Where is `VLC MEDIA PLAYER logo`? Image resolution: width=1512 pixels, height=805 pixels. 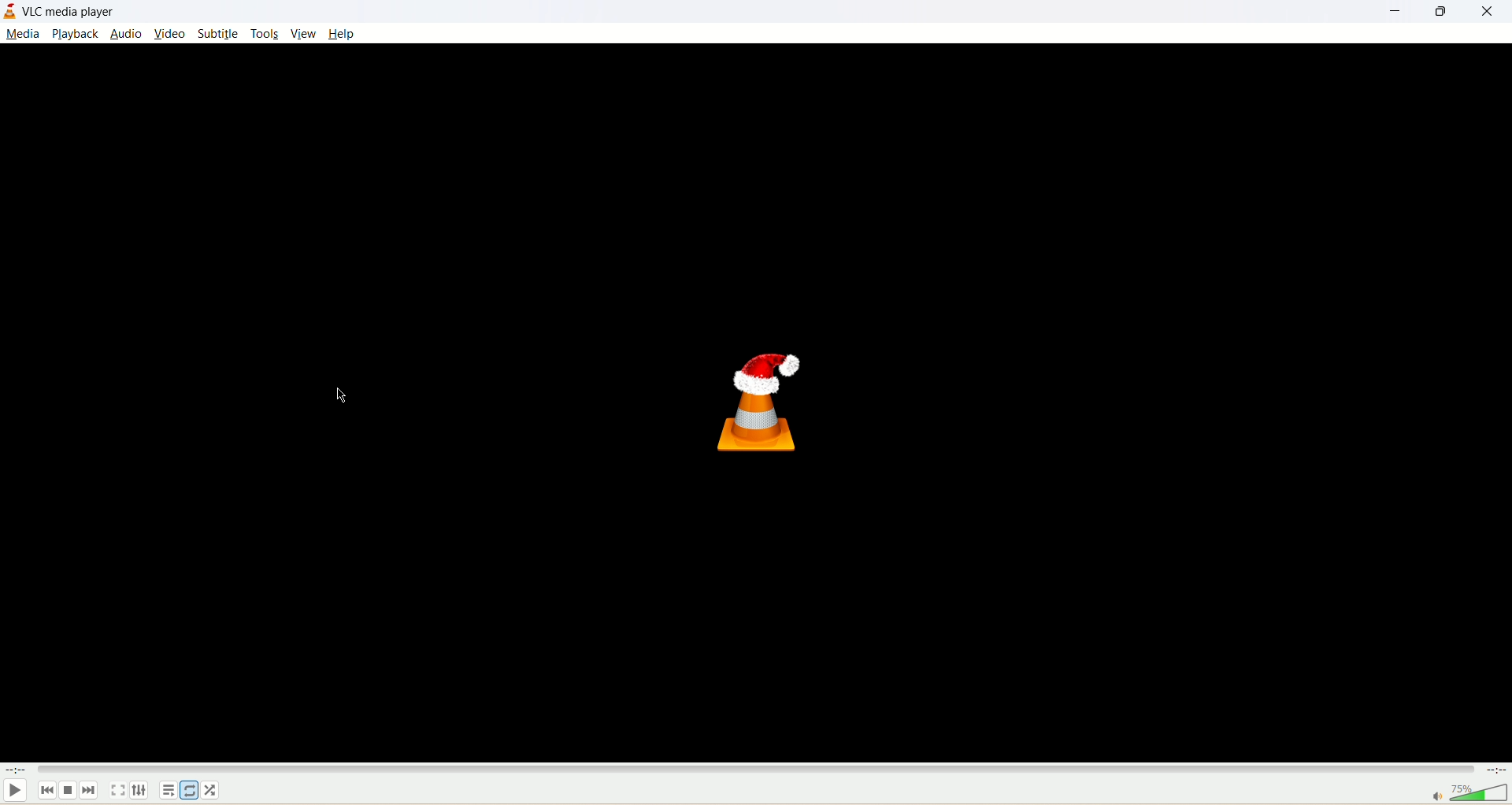
VLC MEDIA PLAYER logo is located at coordinates (761, 403).